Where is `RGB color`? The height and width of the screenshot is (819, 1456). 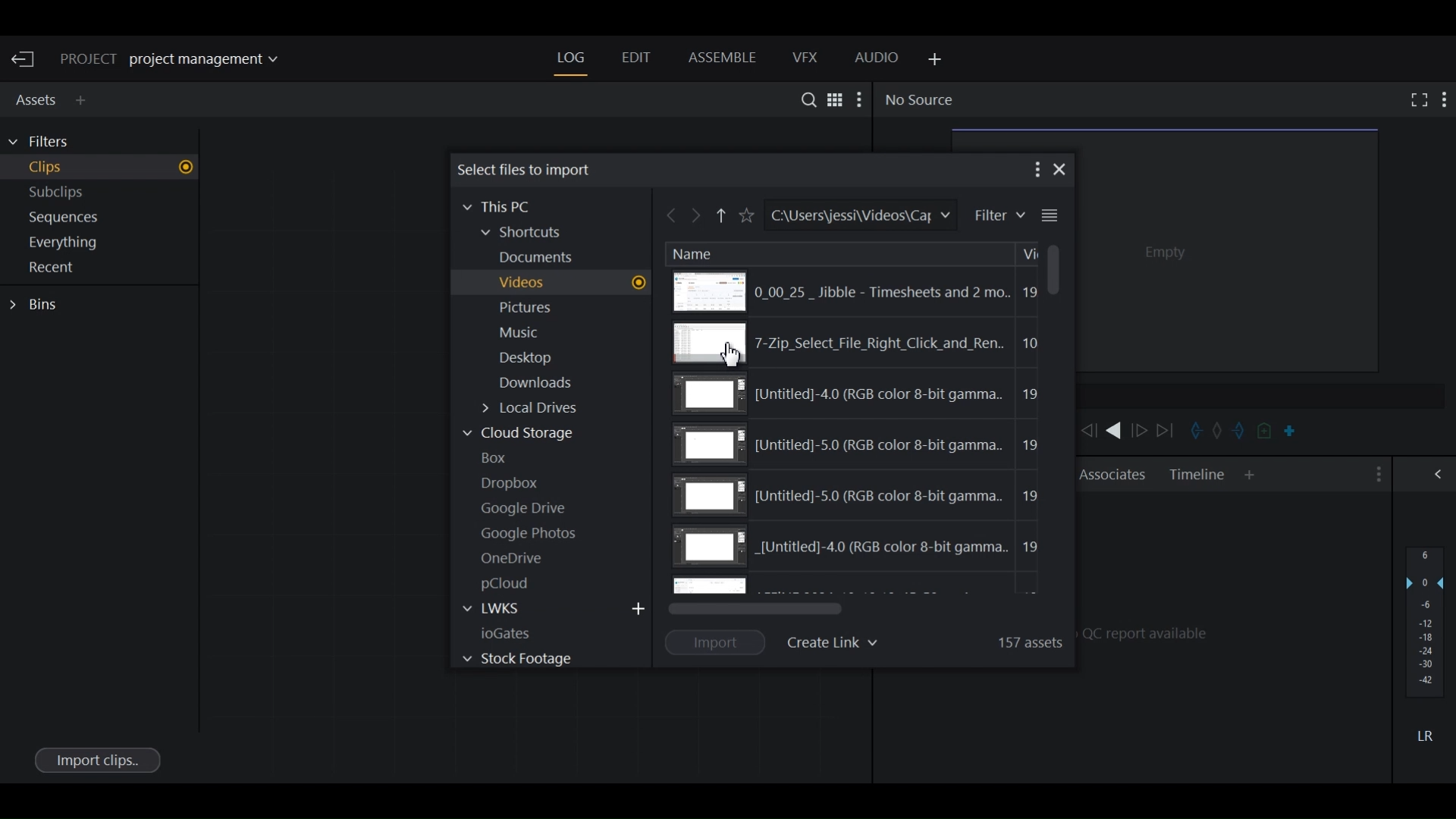 RGB color is located at coordinates (860, 494).